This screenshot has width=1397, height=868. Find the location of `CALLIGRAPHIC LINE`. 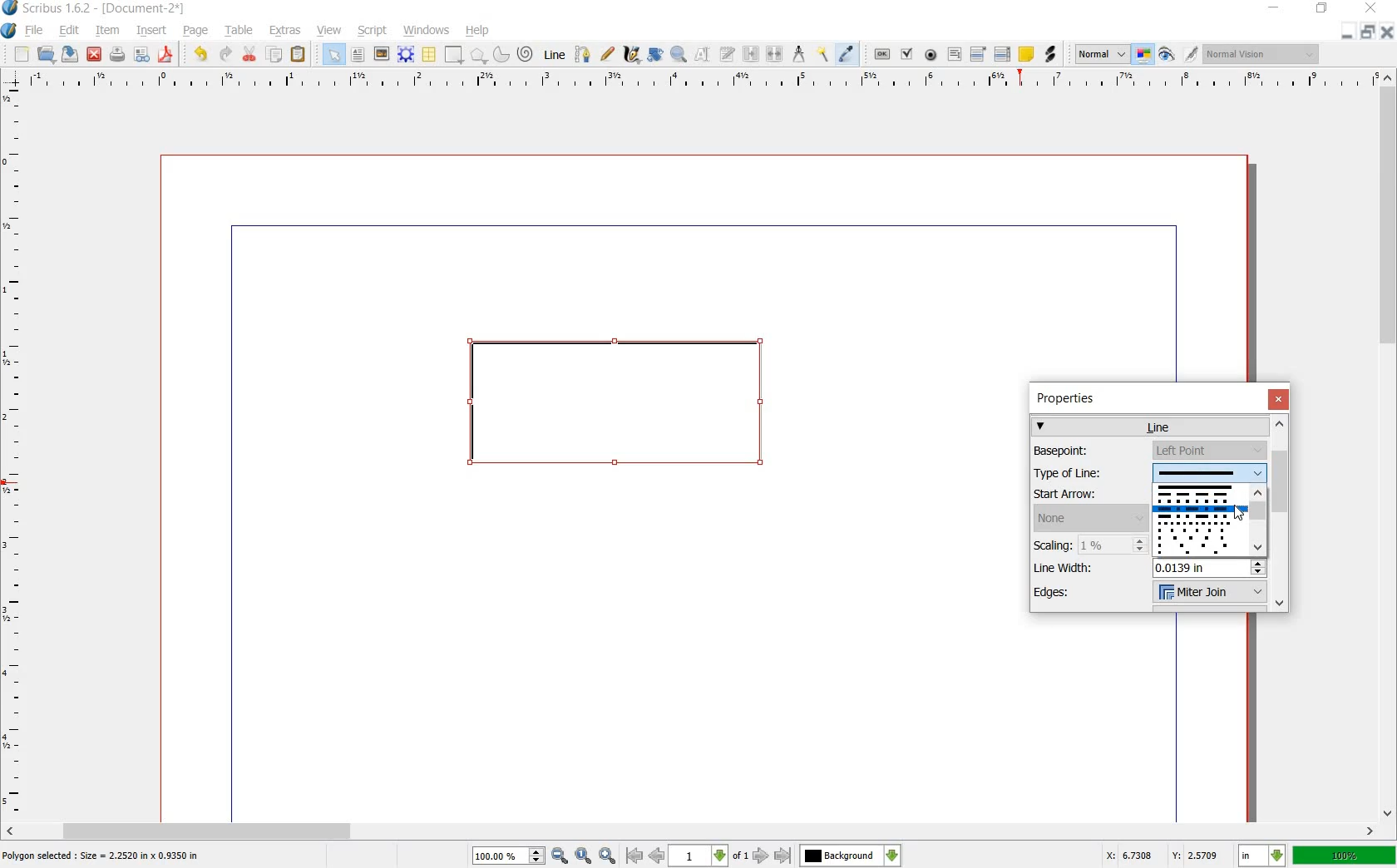

CALLIGRAPHIC LINE is located at coordinates (630, 54).